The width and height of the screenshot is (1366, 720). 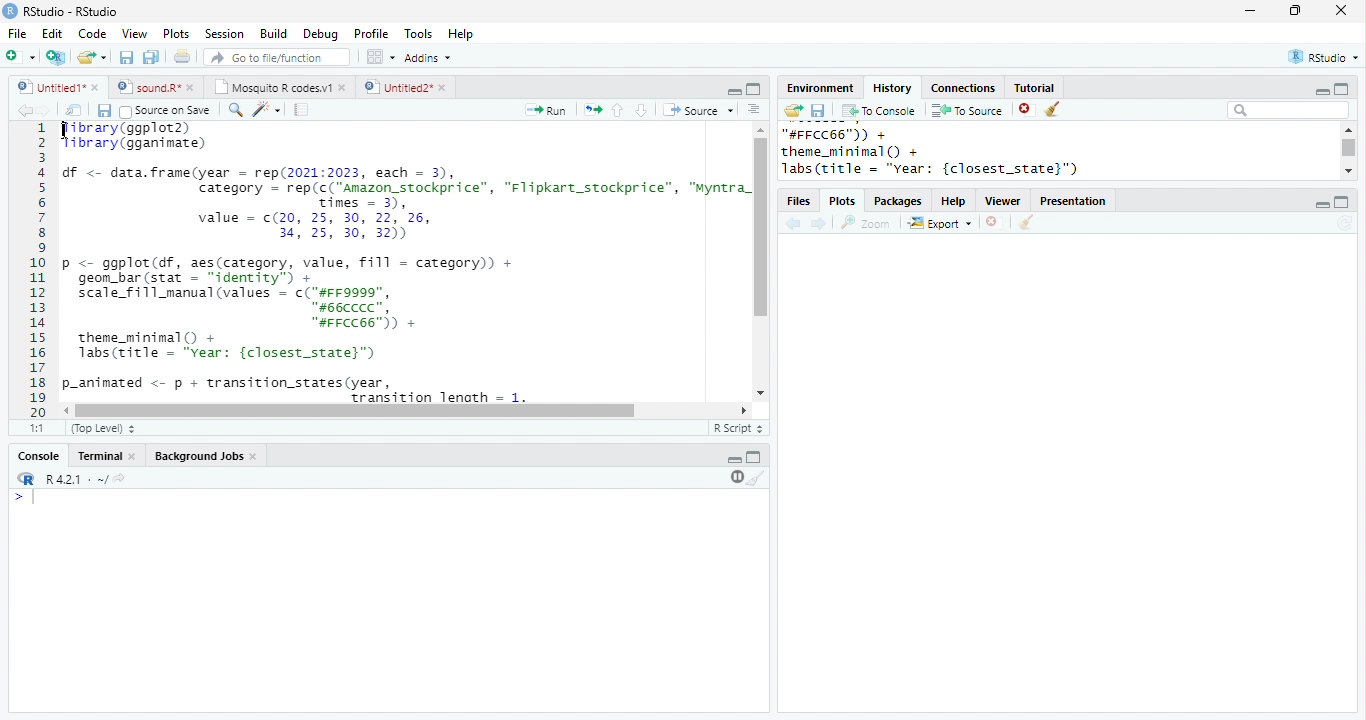 I want to click on minimize, so click(x=1322, y=205).